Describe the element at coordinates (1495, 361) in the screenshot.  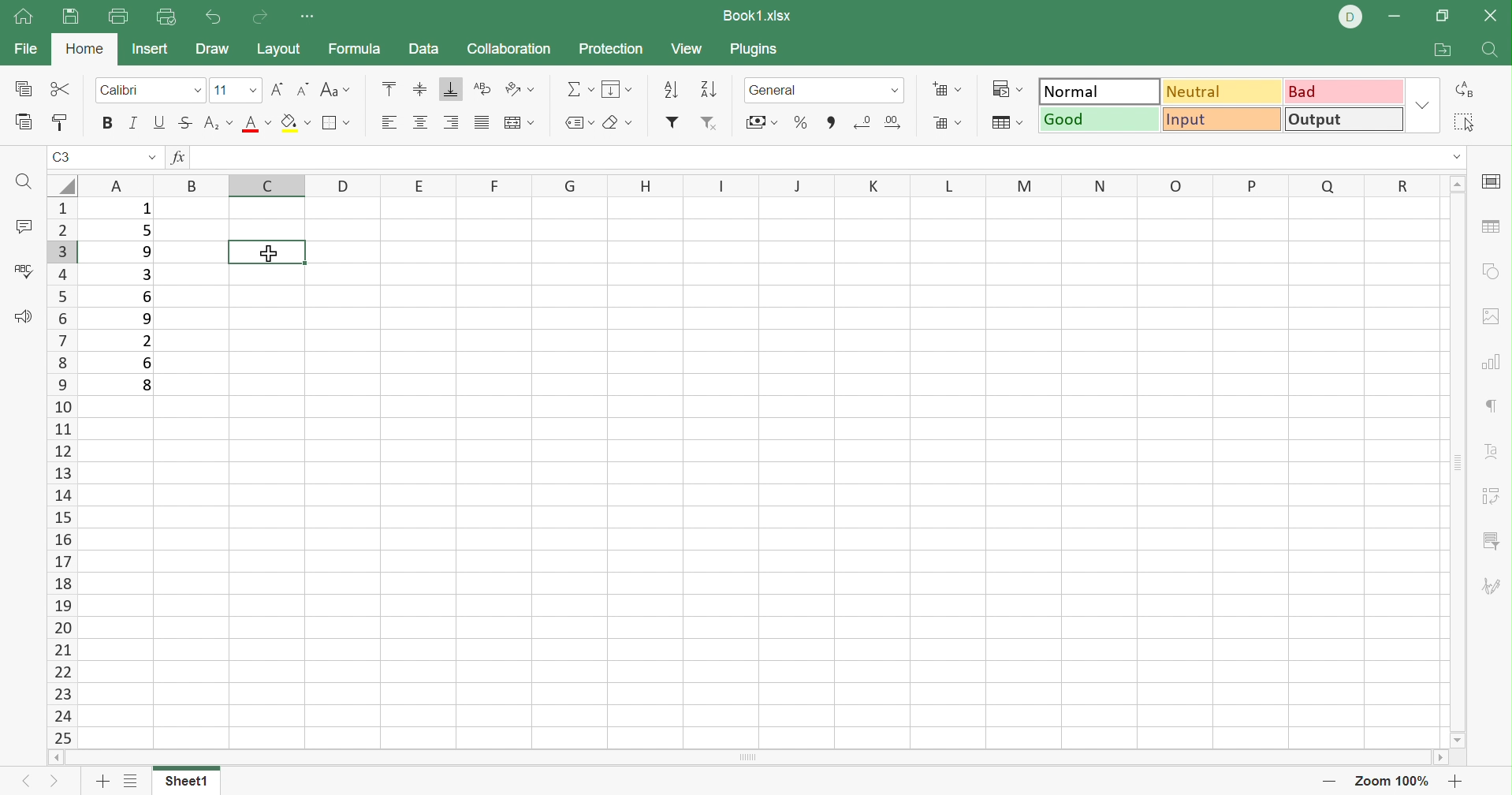
I see `Chart settings` at that location.